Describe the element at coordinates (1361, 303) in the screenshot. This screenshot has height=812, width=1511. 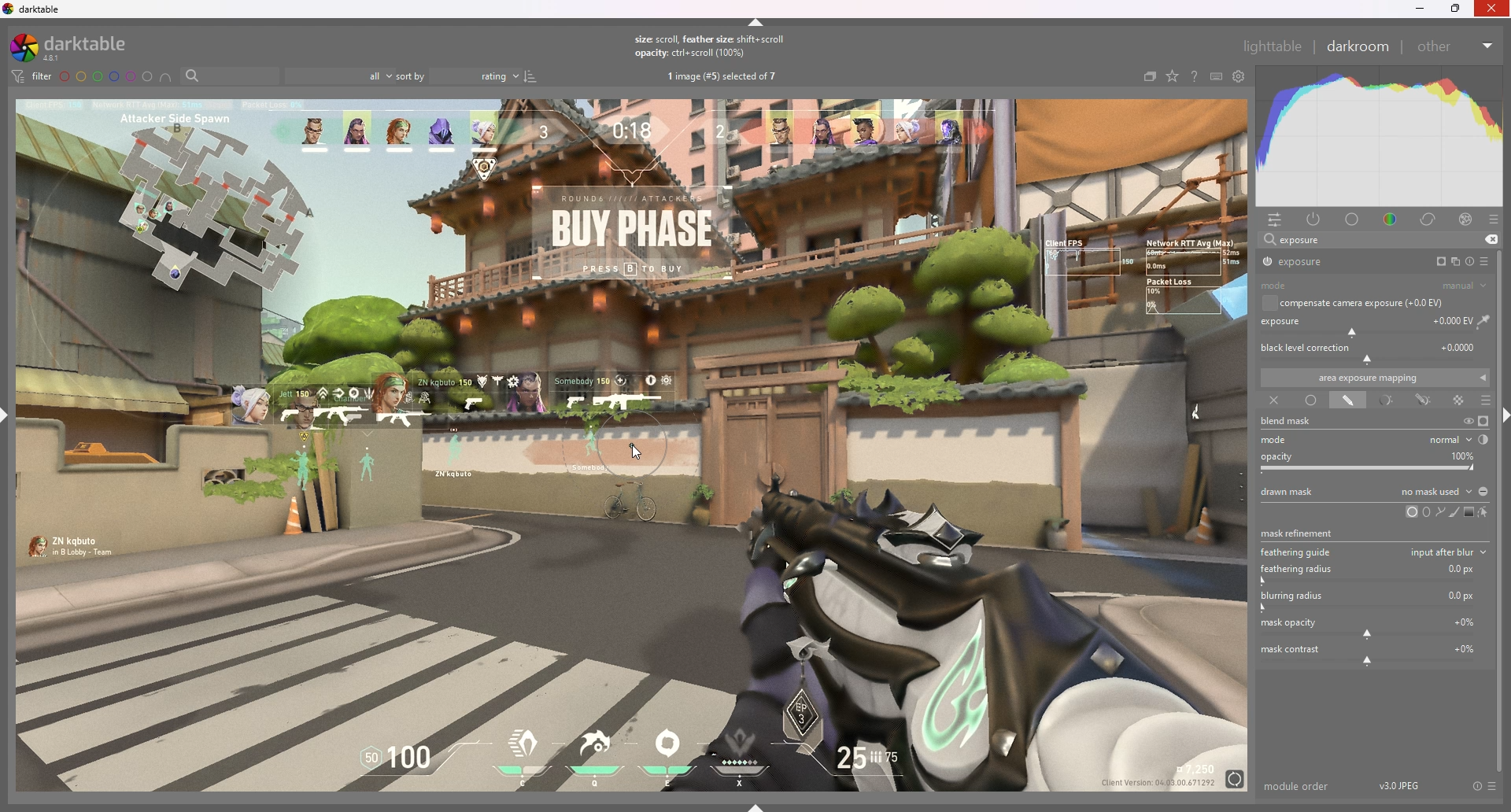
I see `compensate camera exposure` at that location.